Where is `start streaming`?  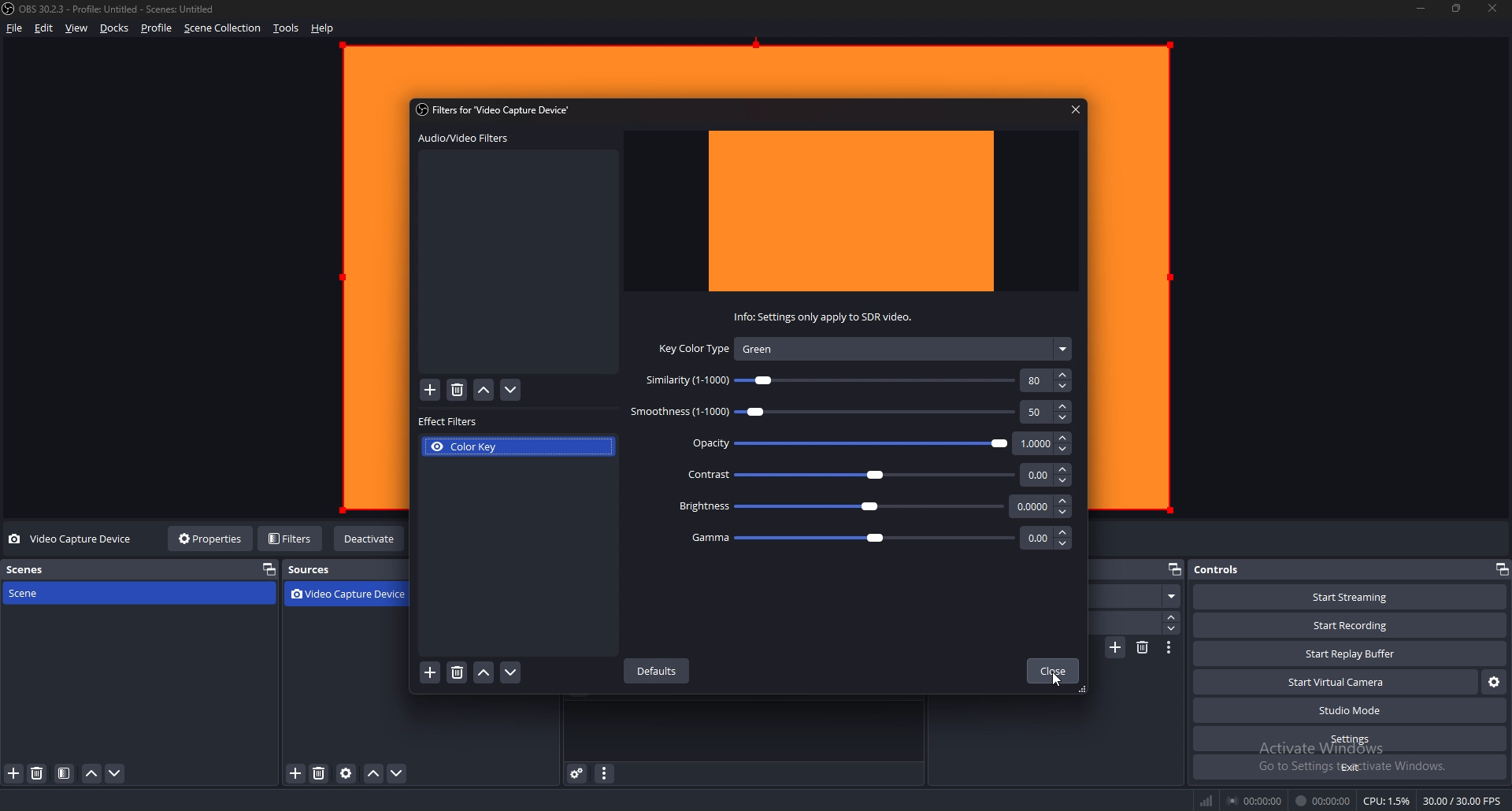
start streaming is located at coordinates (1350, 597).